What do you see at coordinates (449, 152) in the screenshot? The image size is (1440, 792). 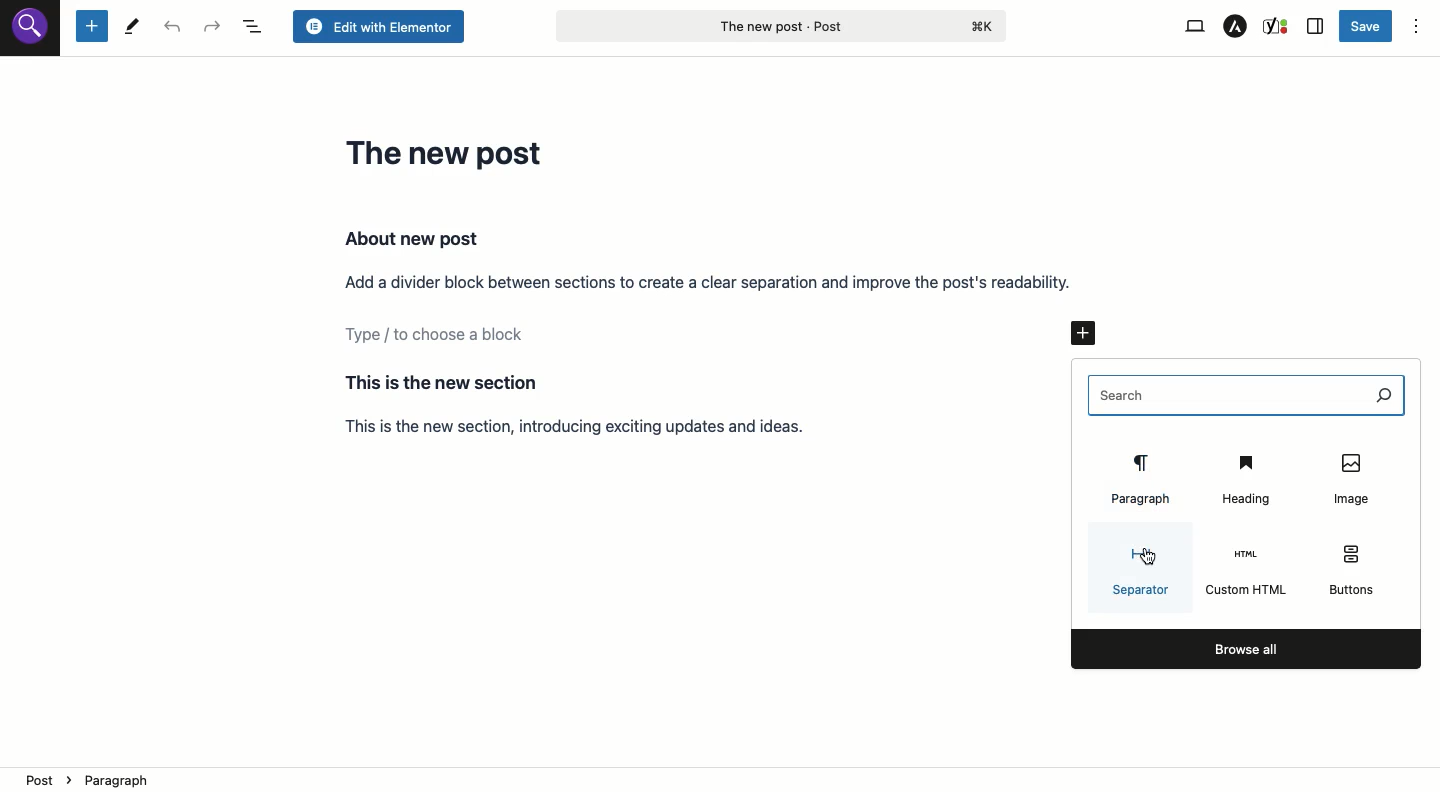 I see `Headline` at bounding box center [449, 152].